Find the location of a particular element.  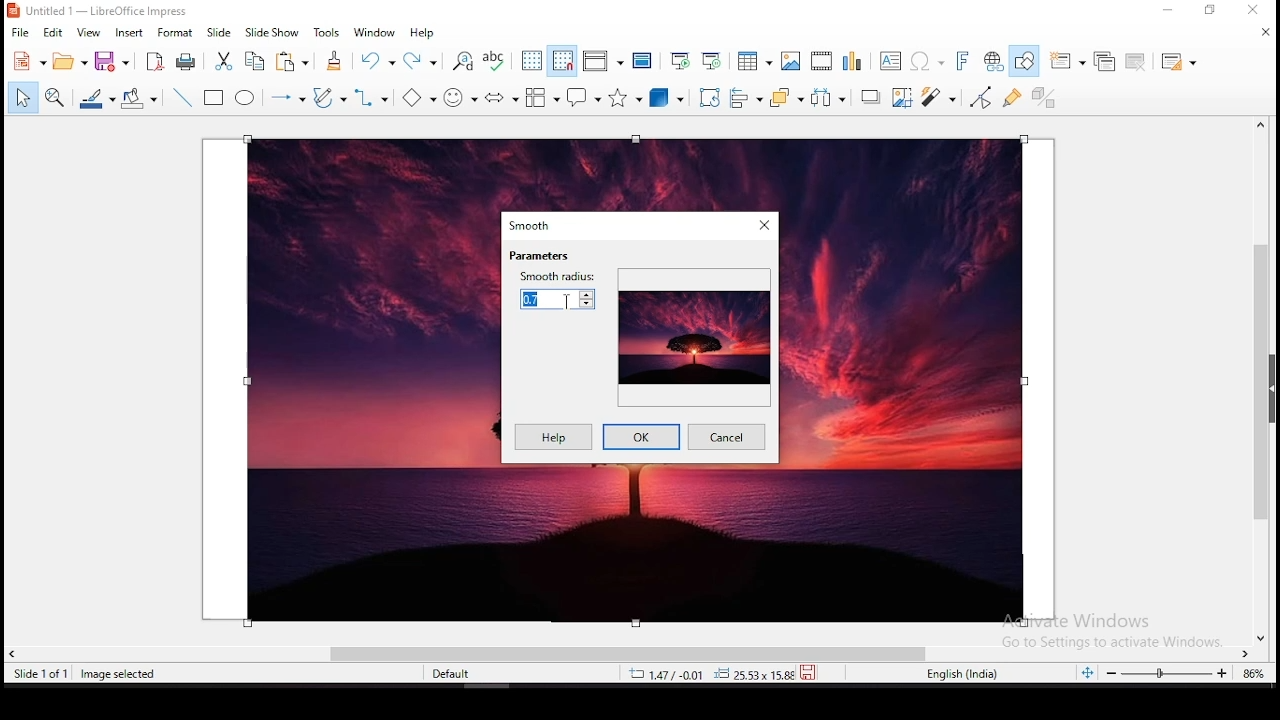

start from first slide is located at coordinates (680, 59).